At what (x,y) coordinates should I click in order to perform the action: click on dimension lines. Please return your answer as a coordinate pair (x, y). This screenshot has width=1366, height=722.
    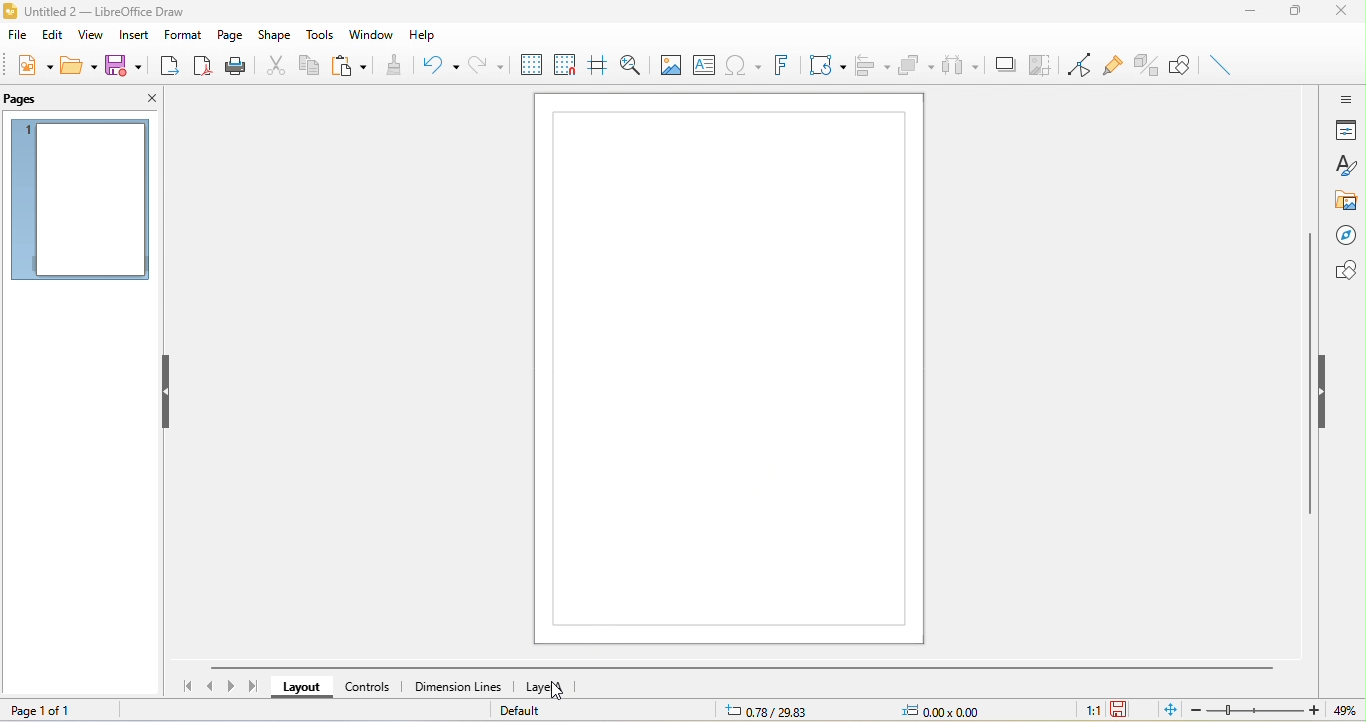
    Looking at the image, I should click on (462, 687).